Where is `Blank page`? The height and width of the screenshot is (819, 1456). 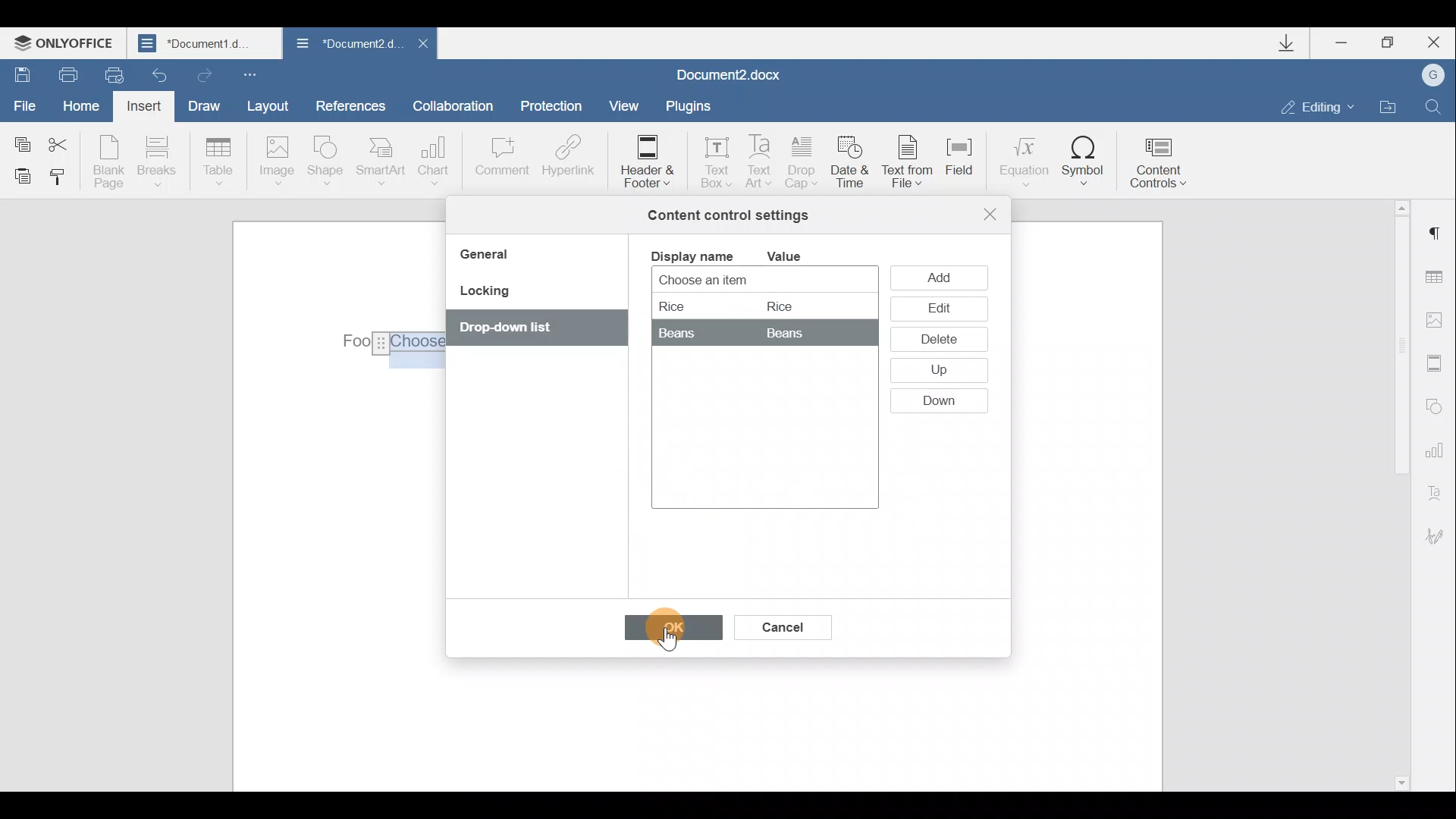 Blank page is located at coordinates (108, 162).